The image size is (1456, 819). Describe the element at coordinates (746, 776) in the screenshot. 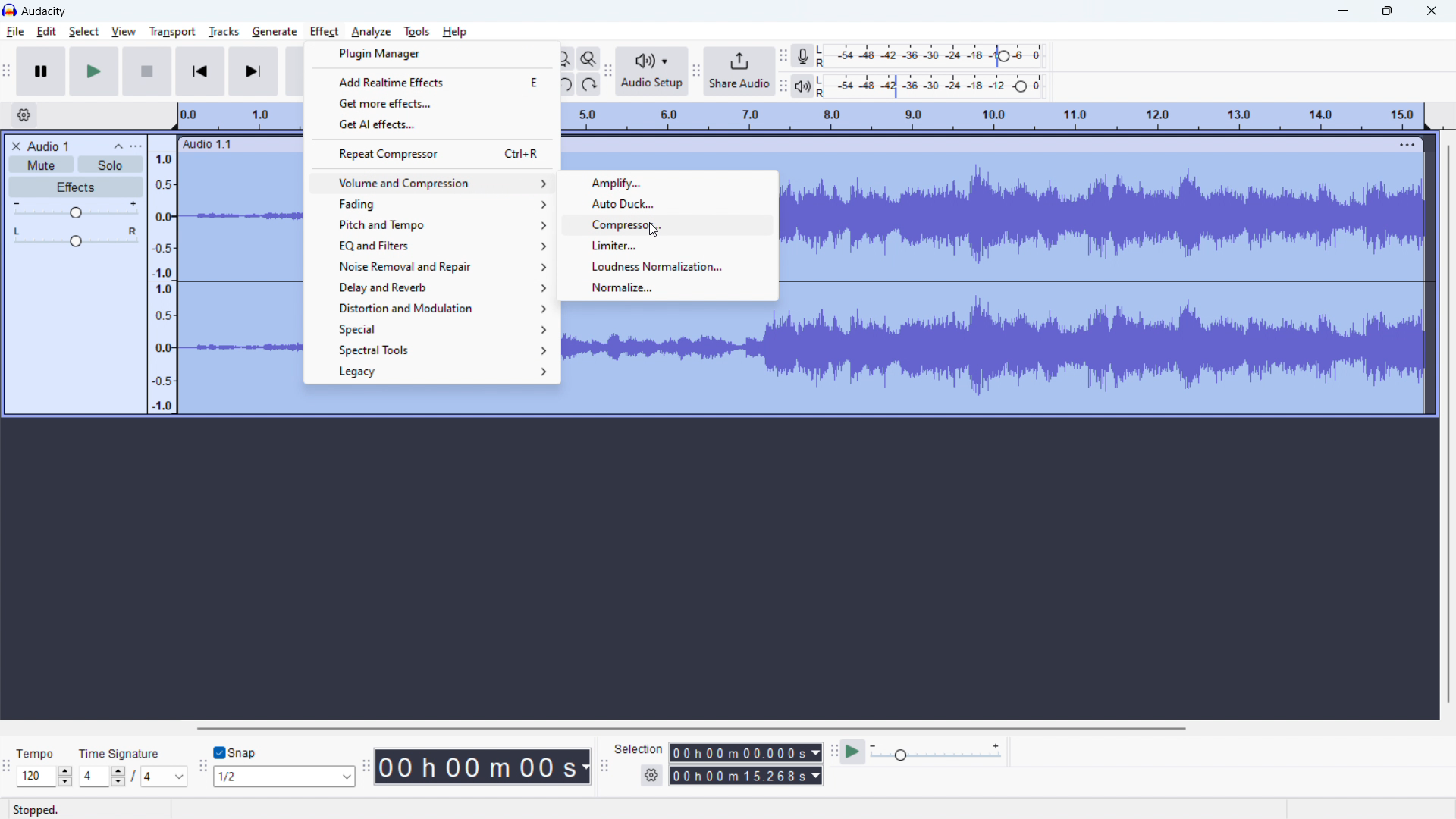

I see `00h00m15.268s (end time)` at that location.